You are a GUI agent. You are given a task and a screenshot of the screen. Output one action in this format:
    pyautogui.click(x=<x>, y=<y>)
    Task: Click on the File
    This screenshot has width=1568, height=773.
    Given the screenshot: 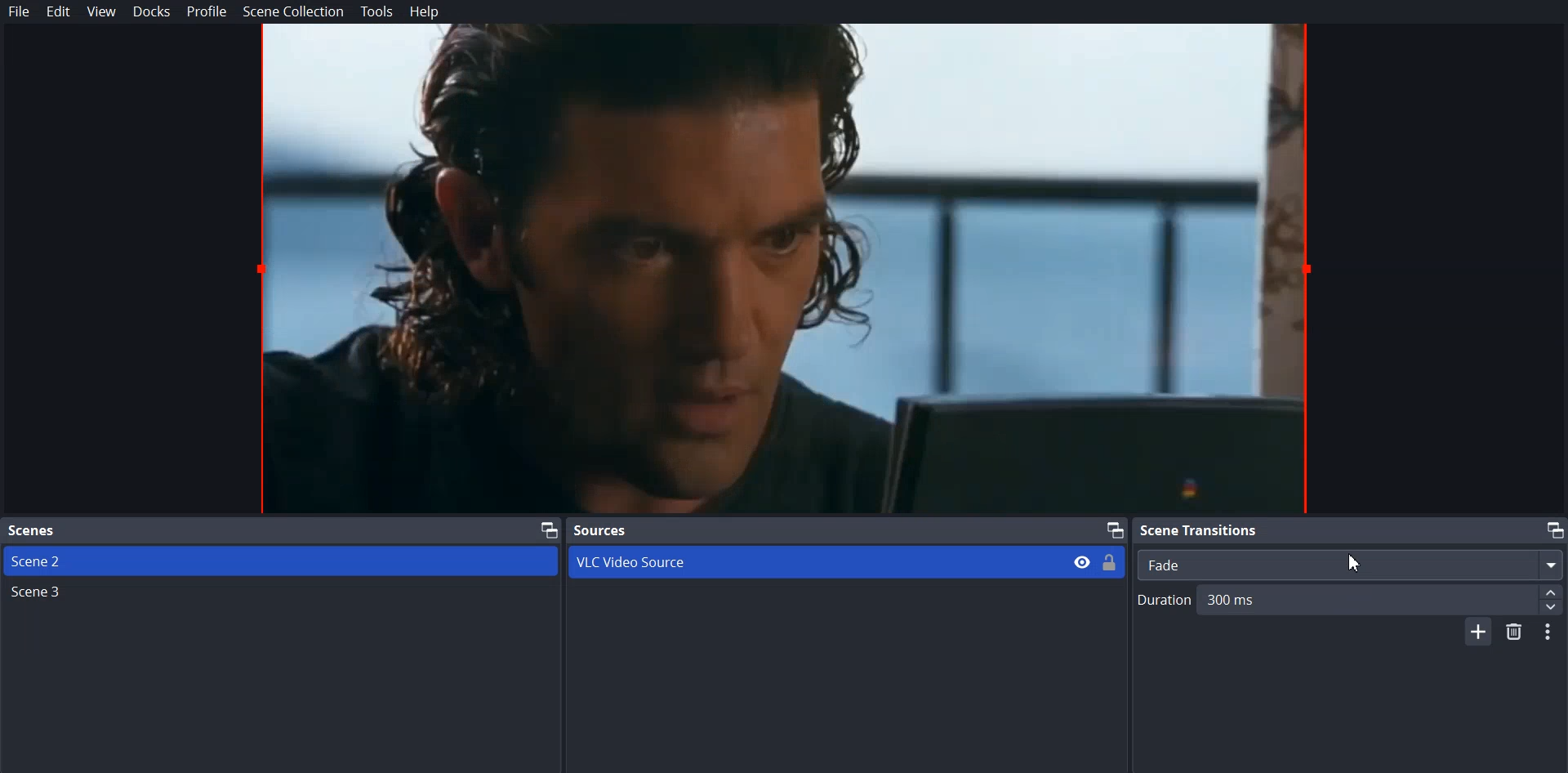 What is the action you would take?
    pyautogui.click(x=20, y=11)
    